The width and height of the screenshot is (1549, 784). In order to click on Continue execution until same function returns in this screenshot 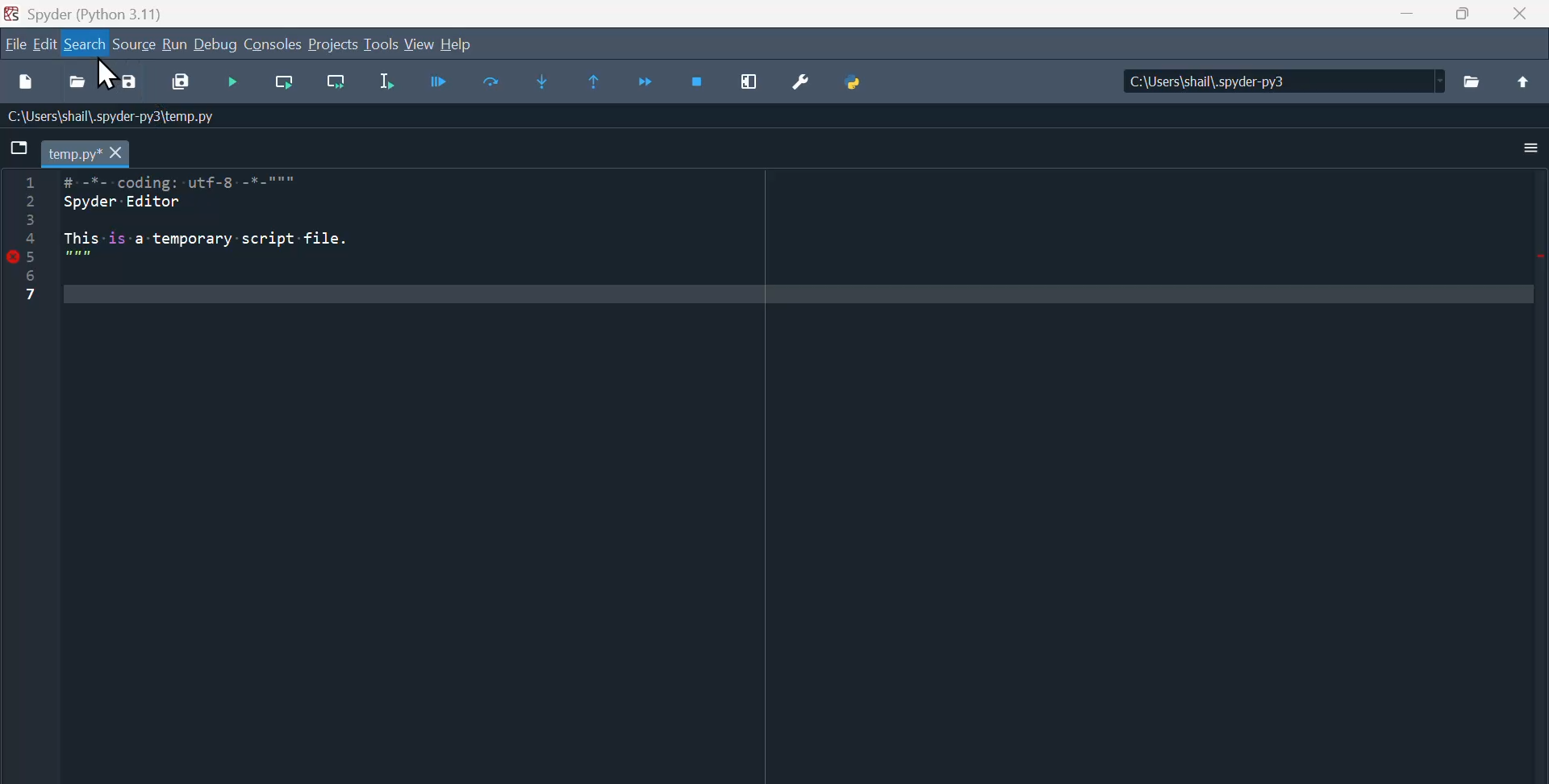, I will do `click(594, 83)`.